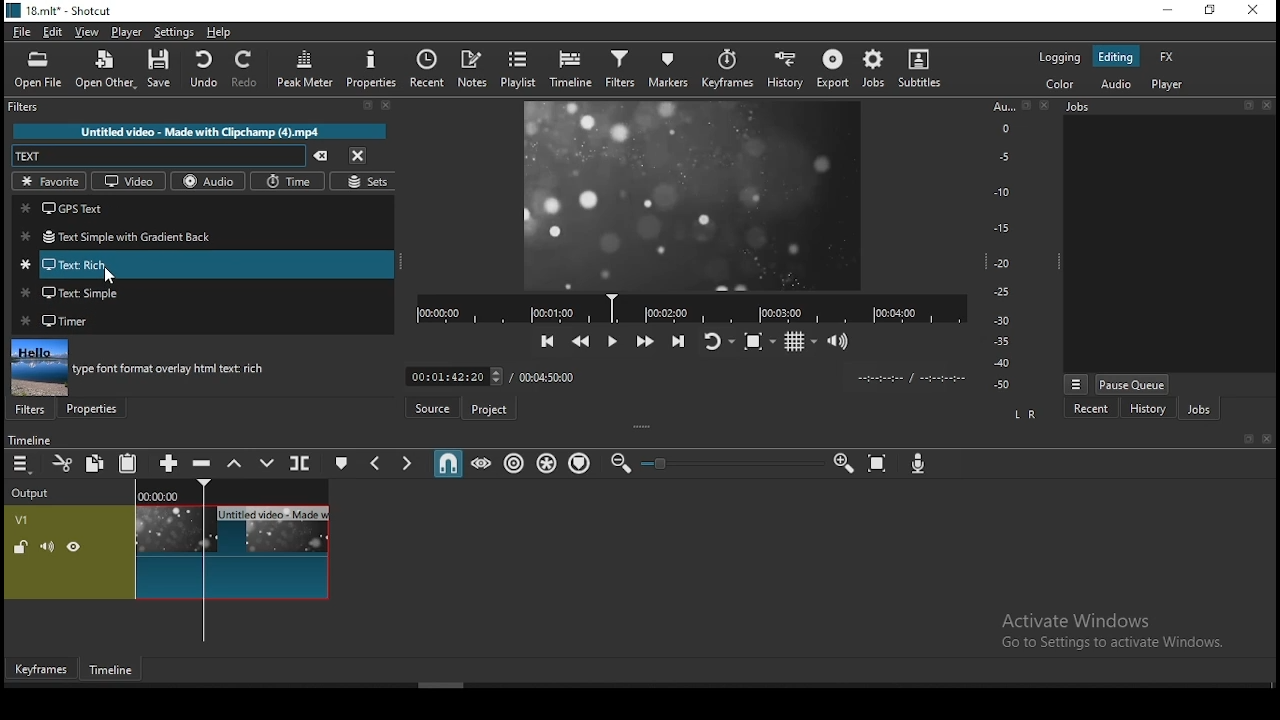 This screenshot has height=720, width=1280. Describe the element at coordinates (1266, 439) in the screenshot. I see `Close` at that location.